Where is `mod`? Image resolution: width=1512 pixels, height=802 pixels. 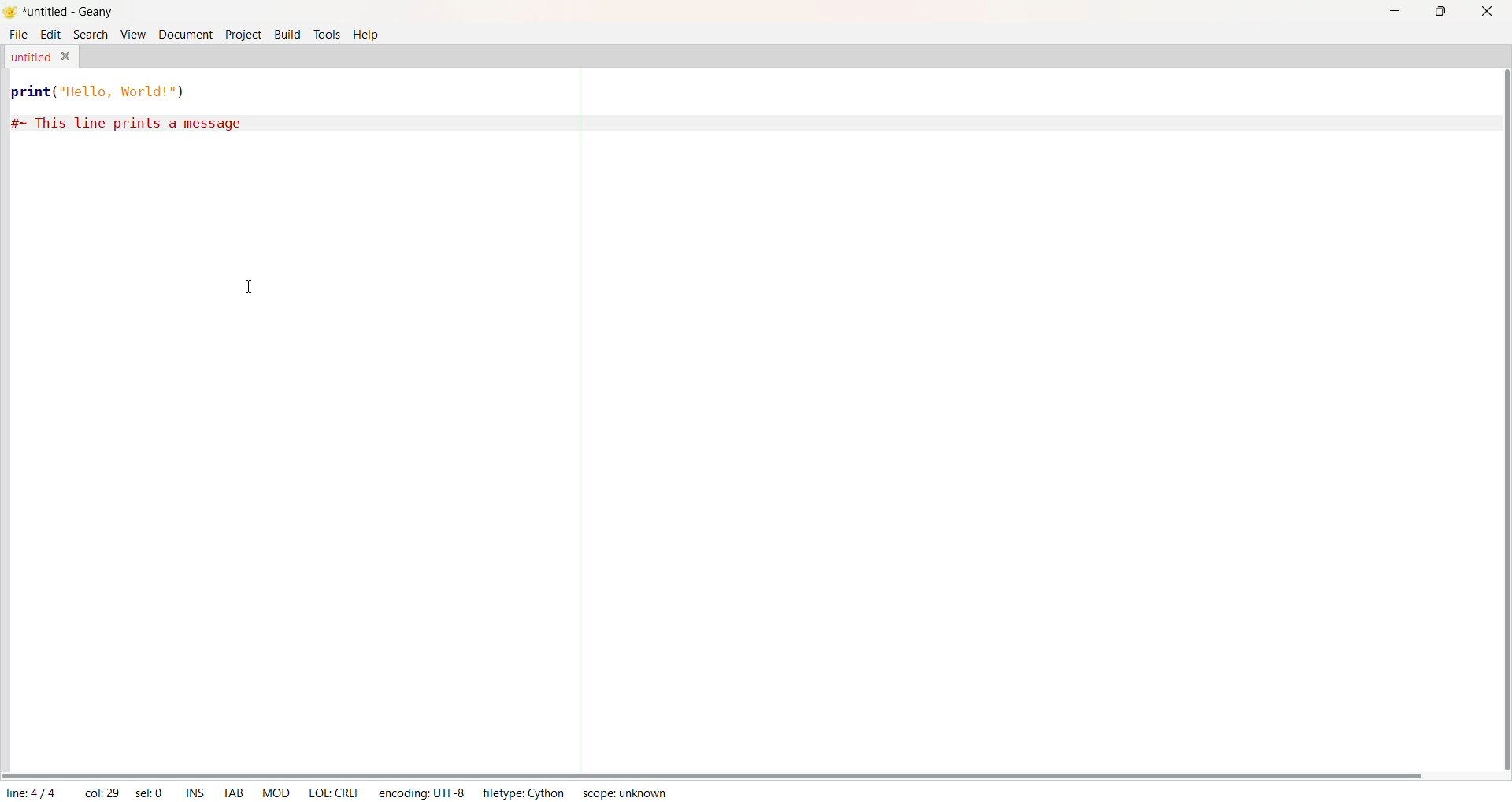 mod is located at coordinates (274, 793).